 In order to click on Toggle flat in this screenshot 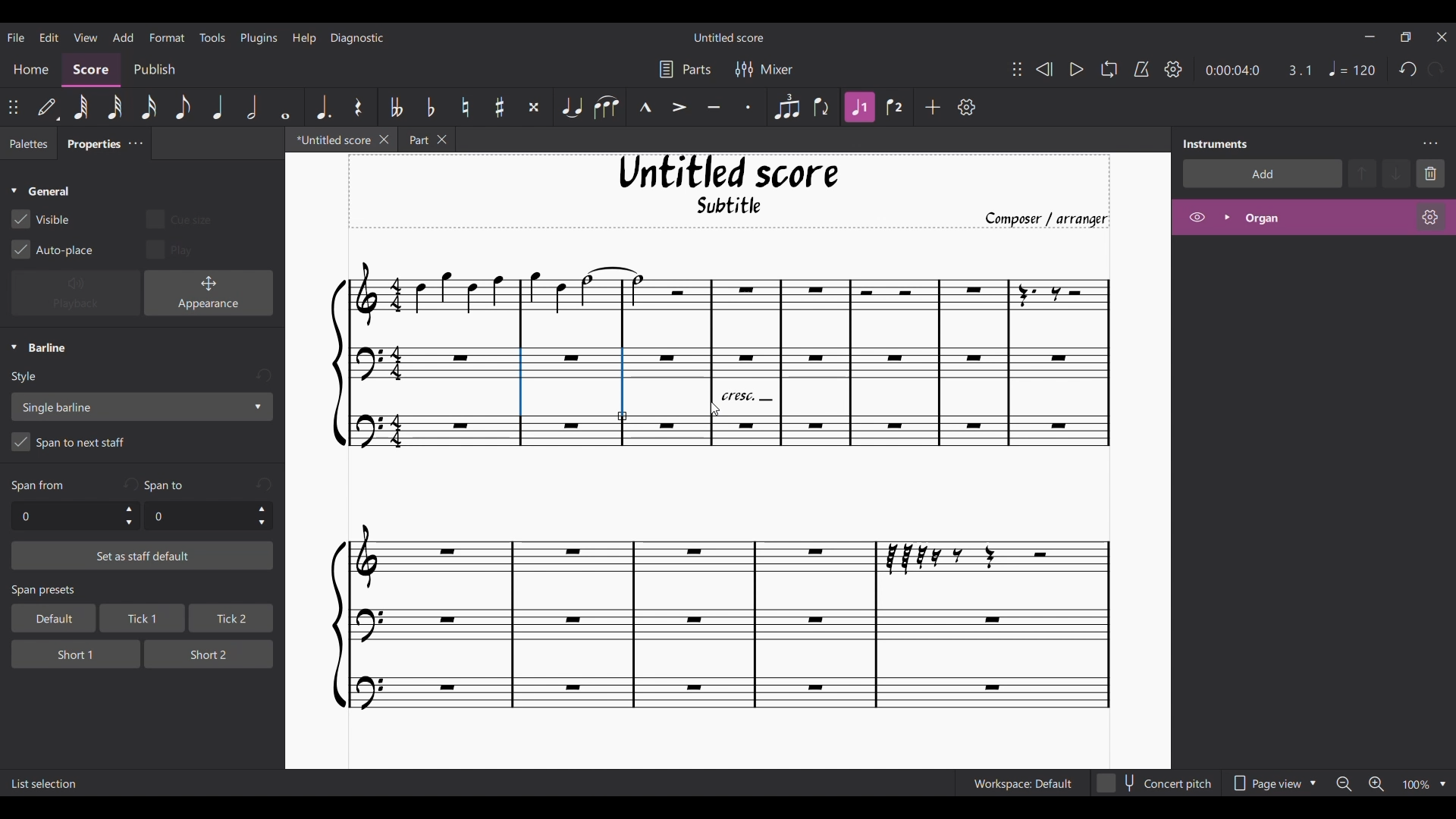, I will do `click(430, 107)`.